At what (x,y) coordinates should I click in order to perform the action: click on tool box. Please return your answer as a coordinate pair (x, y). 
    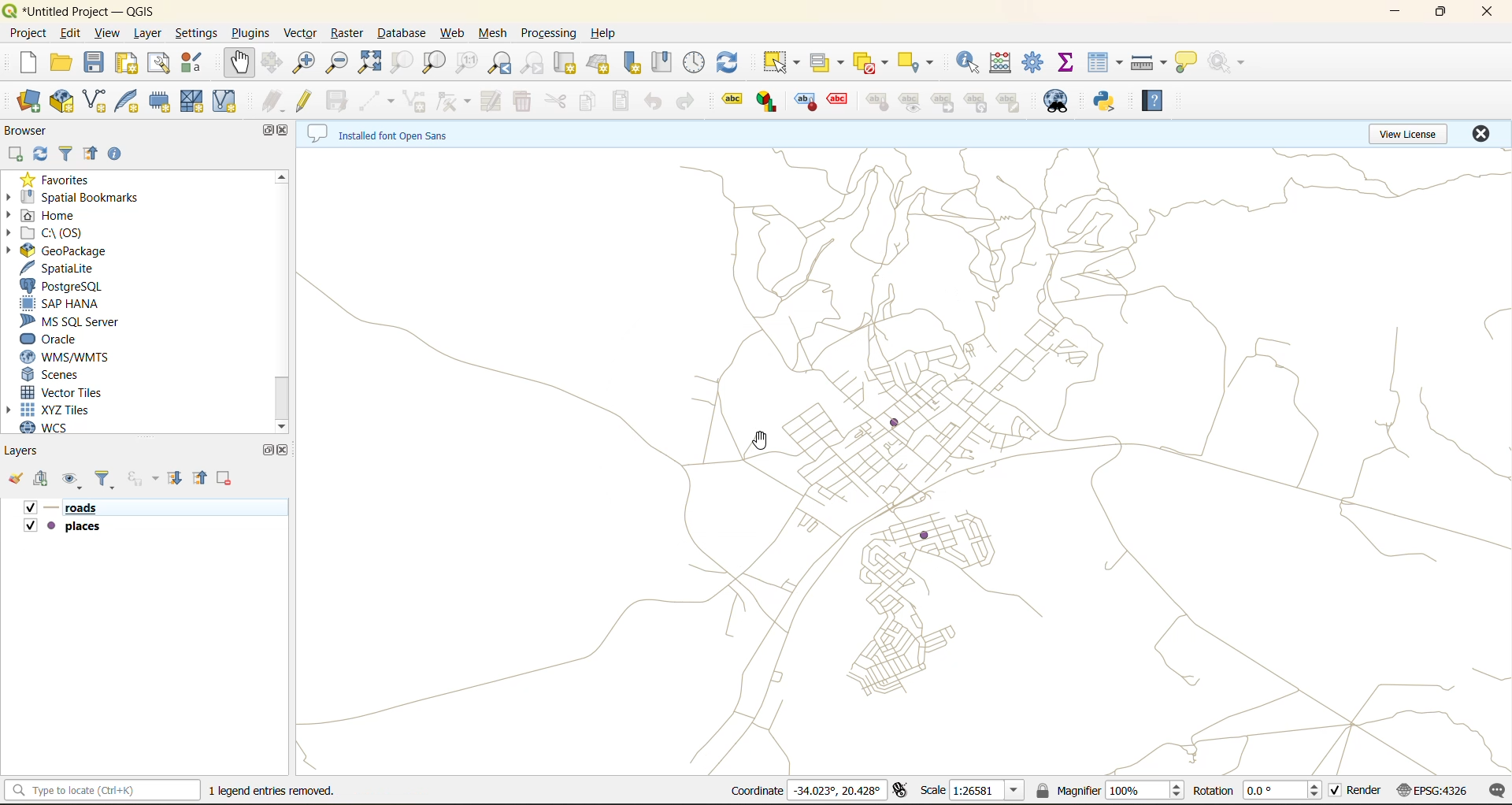
    Looking at the image, I should click on (1037, 64).